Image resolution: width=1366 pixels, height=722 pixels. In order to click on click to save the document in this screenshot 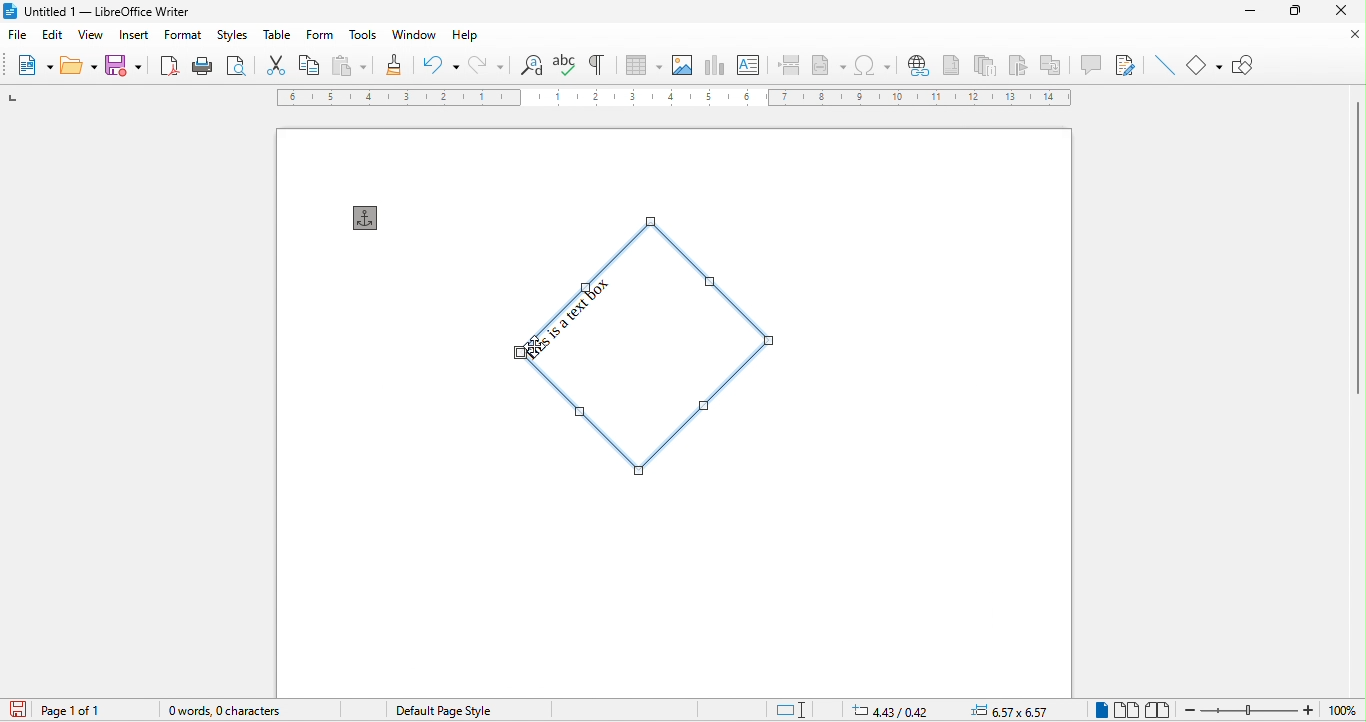, I will do `click(16, 710)`.